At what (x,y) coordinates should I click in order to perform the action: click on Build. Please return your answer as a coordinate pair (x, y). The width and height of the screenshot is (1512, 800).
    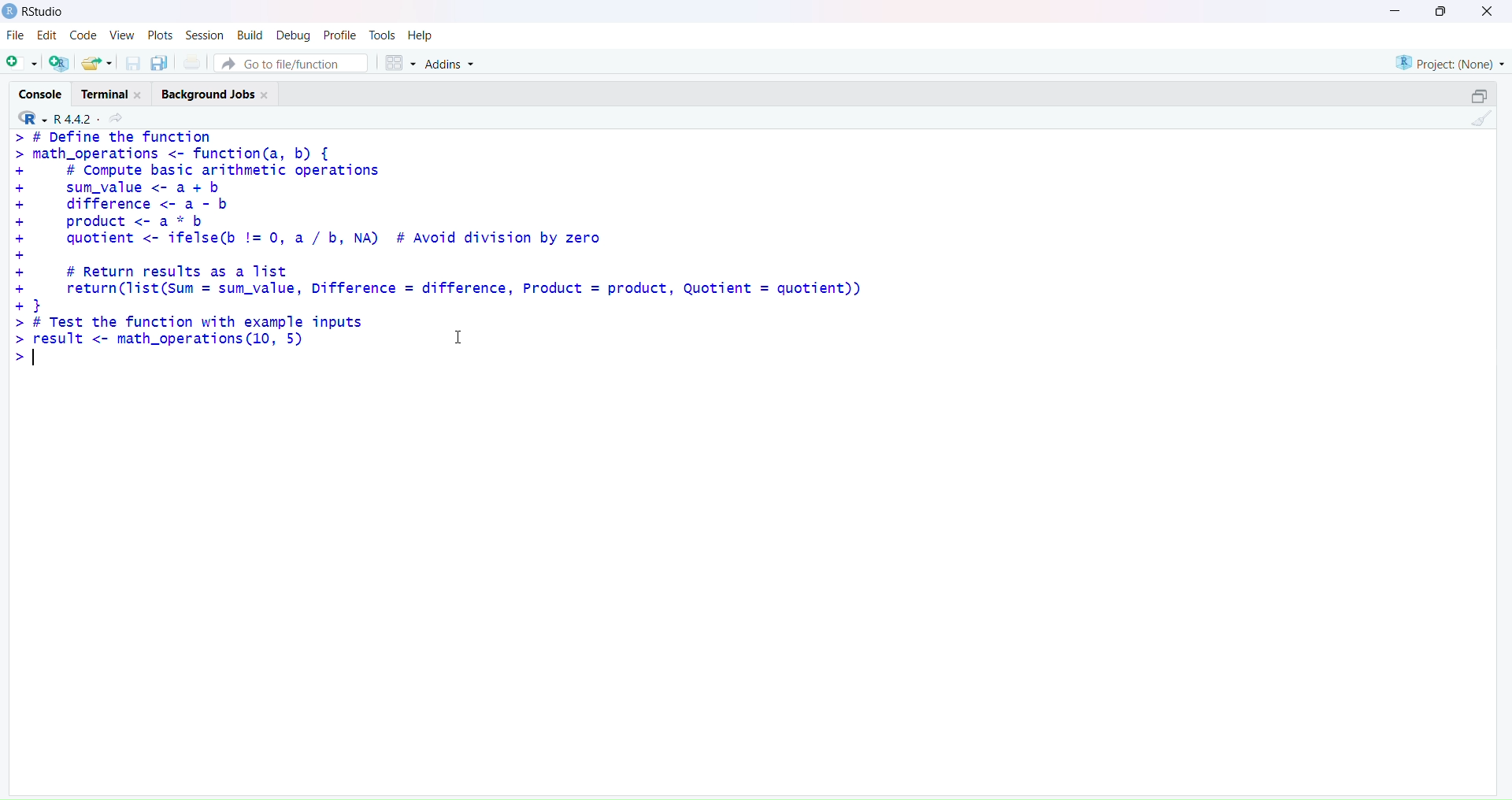
    Looking at the image, I should click on (246, 35).